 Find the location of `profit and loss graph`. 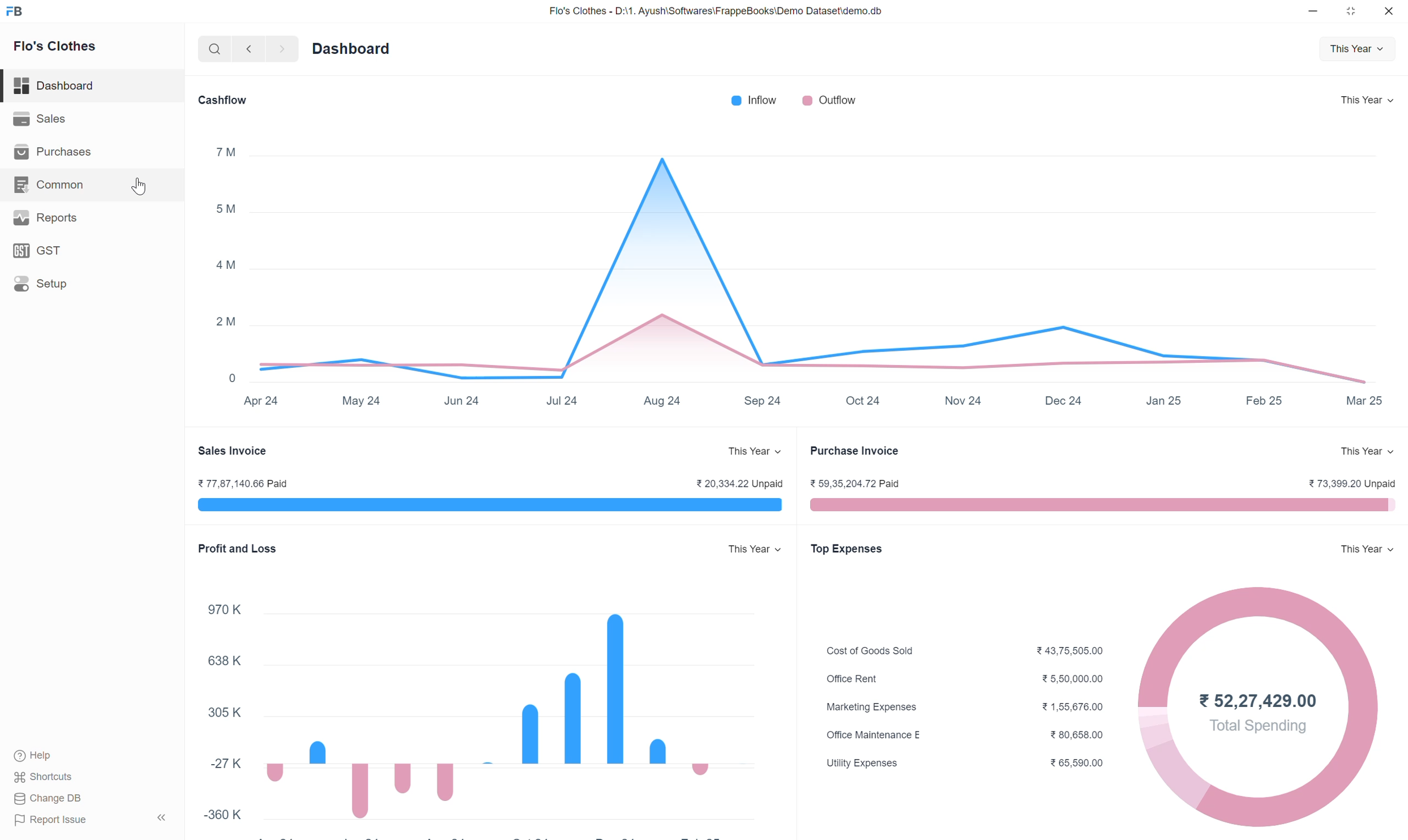

profit and loss graph is located at coordinates (485, 680).